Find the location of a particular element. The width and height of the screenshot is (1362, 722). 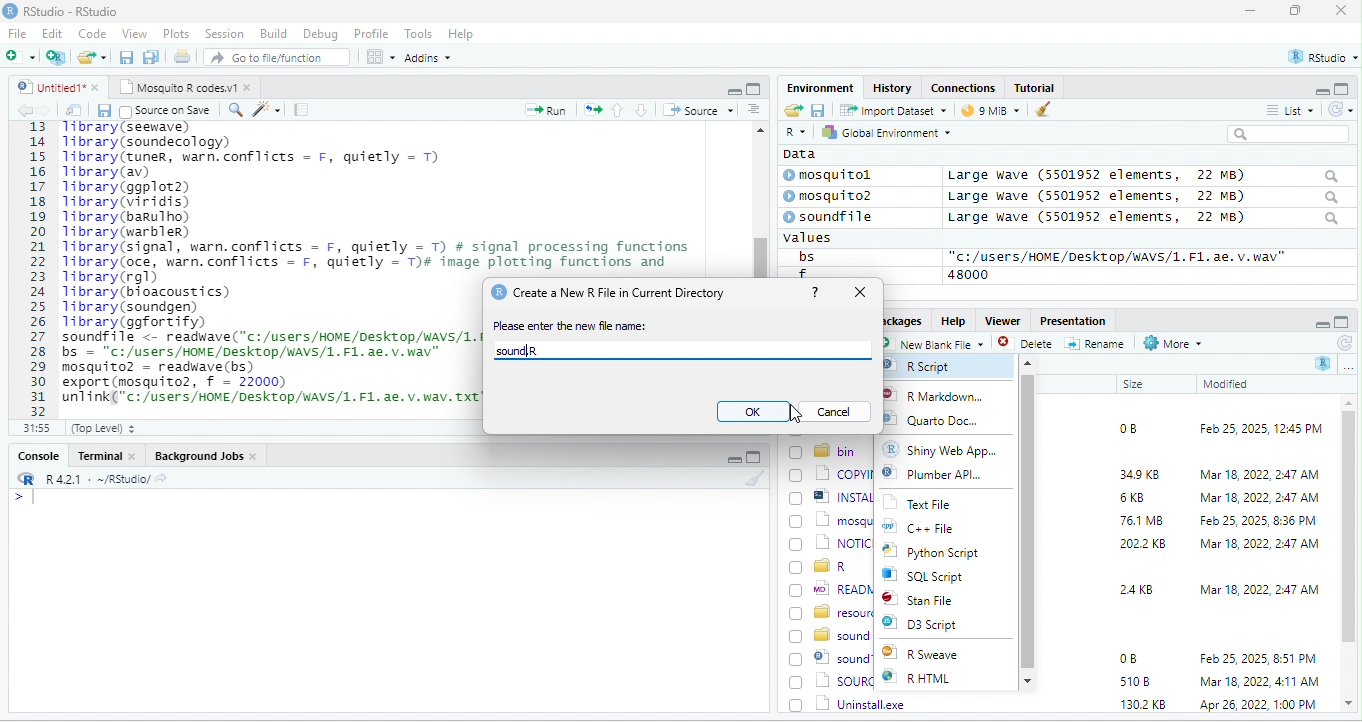

Edit is located at coordinates (54, 33).